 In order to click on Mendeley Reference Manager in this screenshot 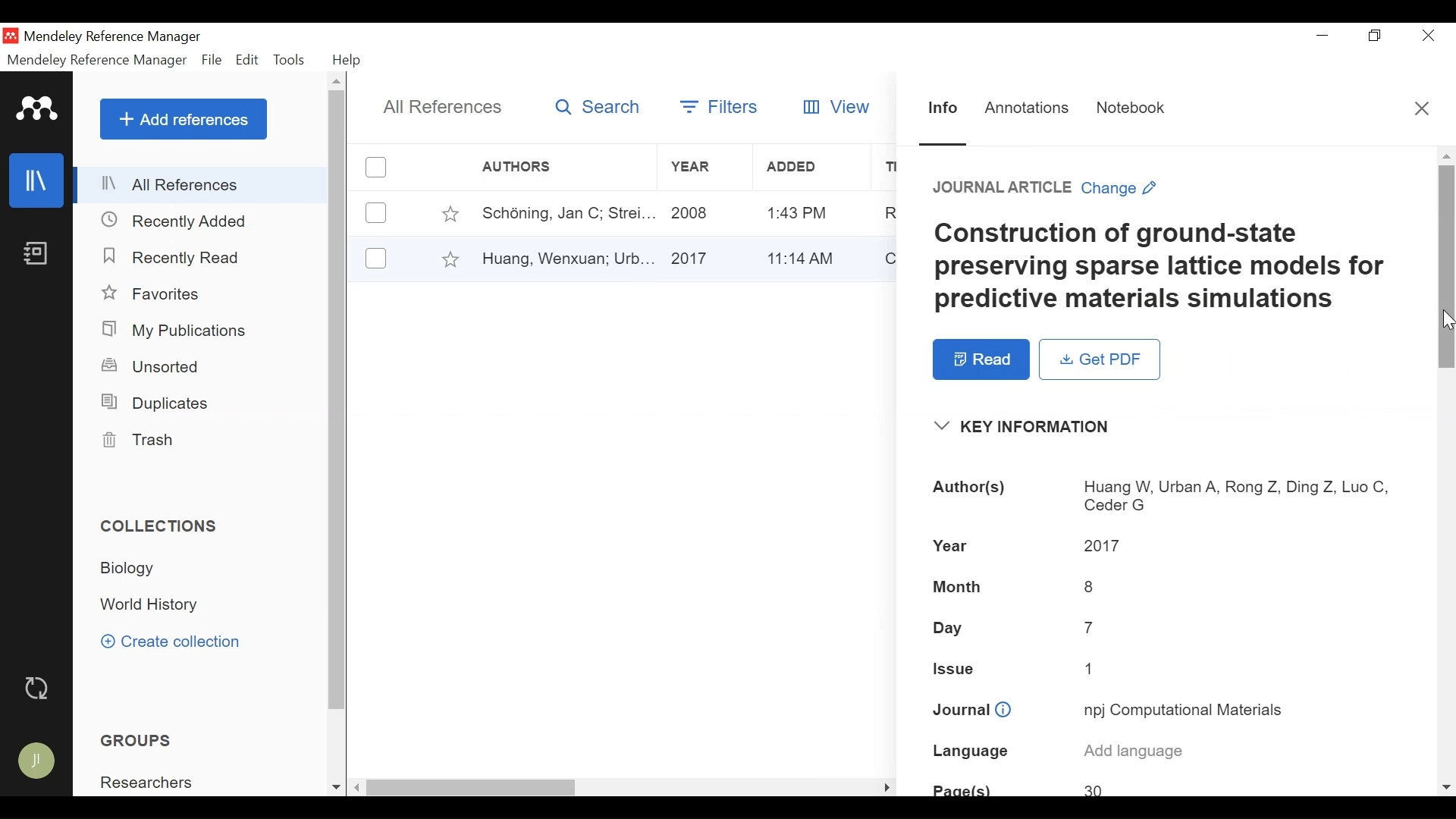, I will do `click(97, 62)`.